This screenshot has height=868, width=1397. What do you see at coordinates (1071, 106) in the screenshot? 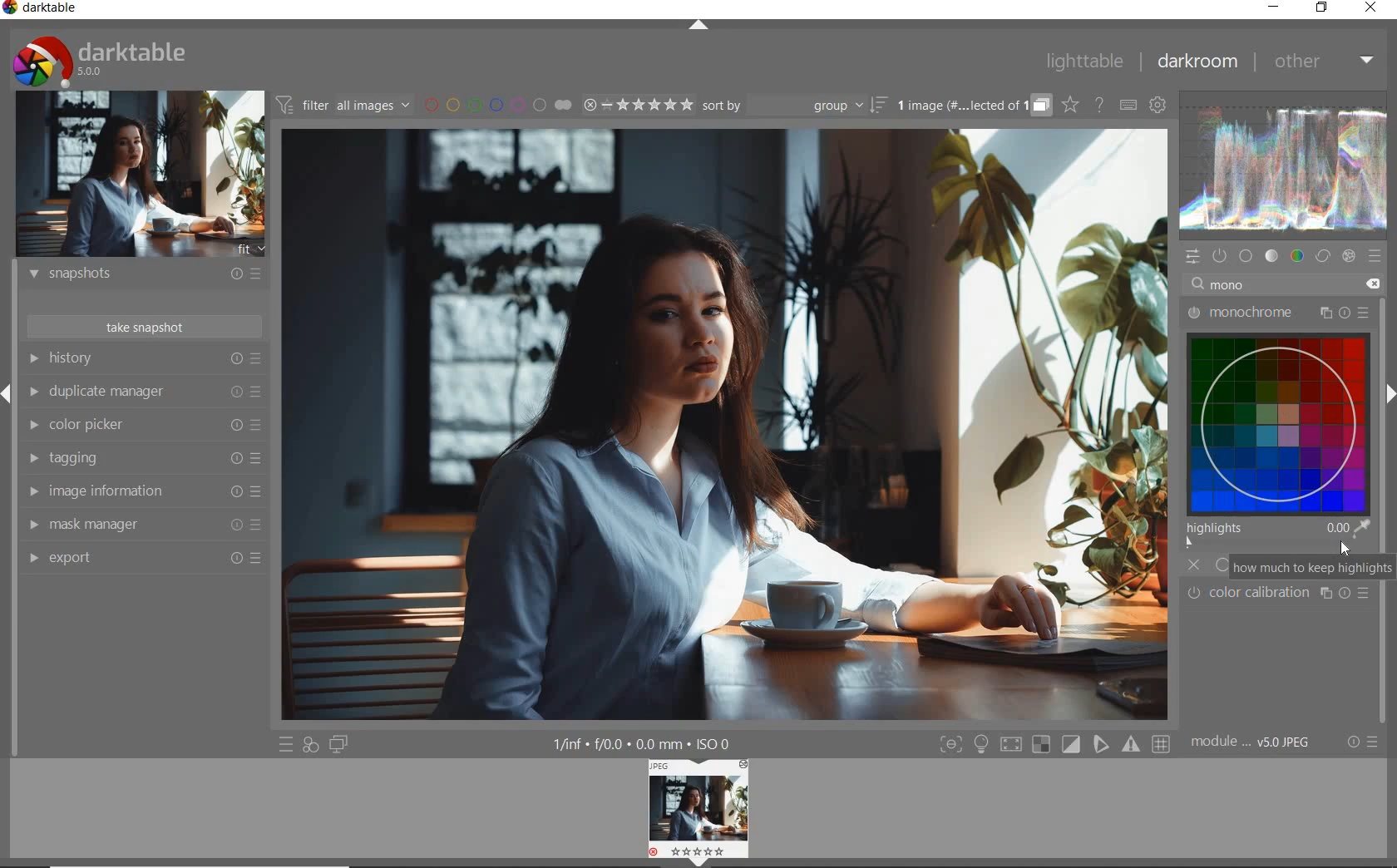
I see `click to change overlays on thumbnails` at bounding box center [1071, 106].